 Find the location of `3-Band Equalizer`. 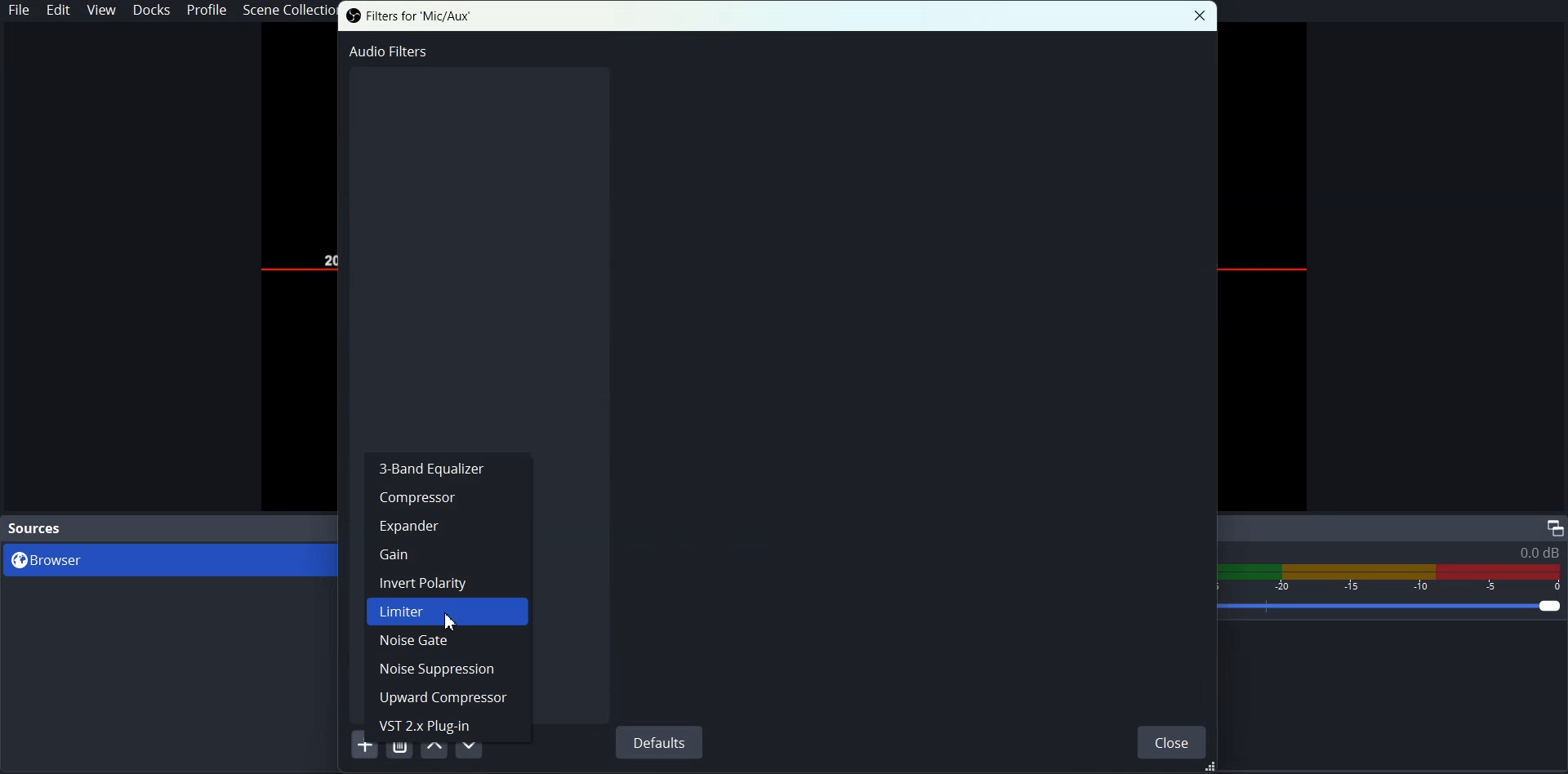

3-Band Equalizer is located at coordinates (447, 467).